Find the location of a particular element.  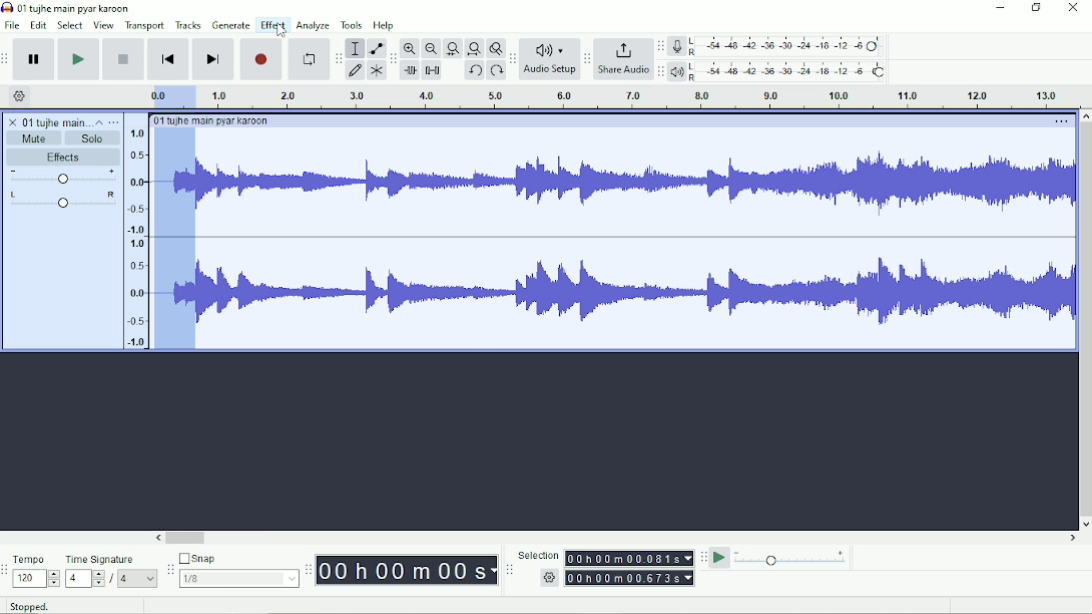

File is located at coordinates (14, 25).